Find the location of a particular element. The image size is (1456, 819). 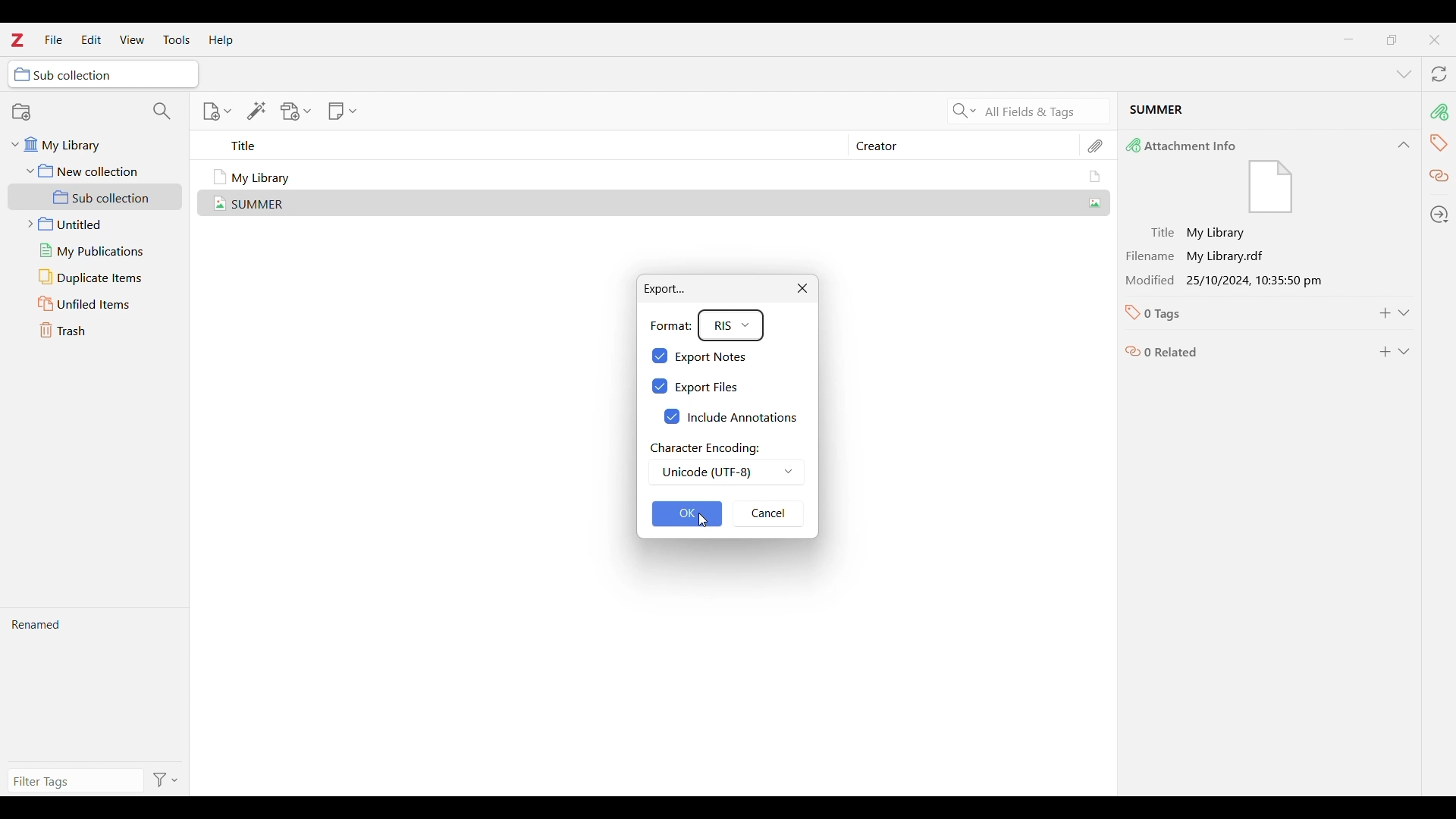

Include annotations is located at coordinates (745, 416).